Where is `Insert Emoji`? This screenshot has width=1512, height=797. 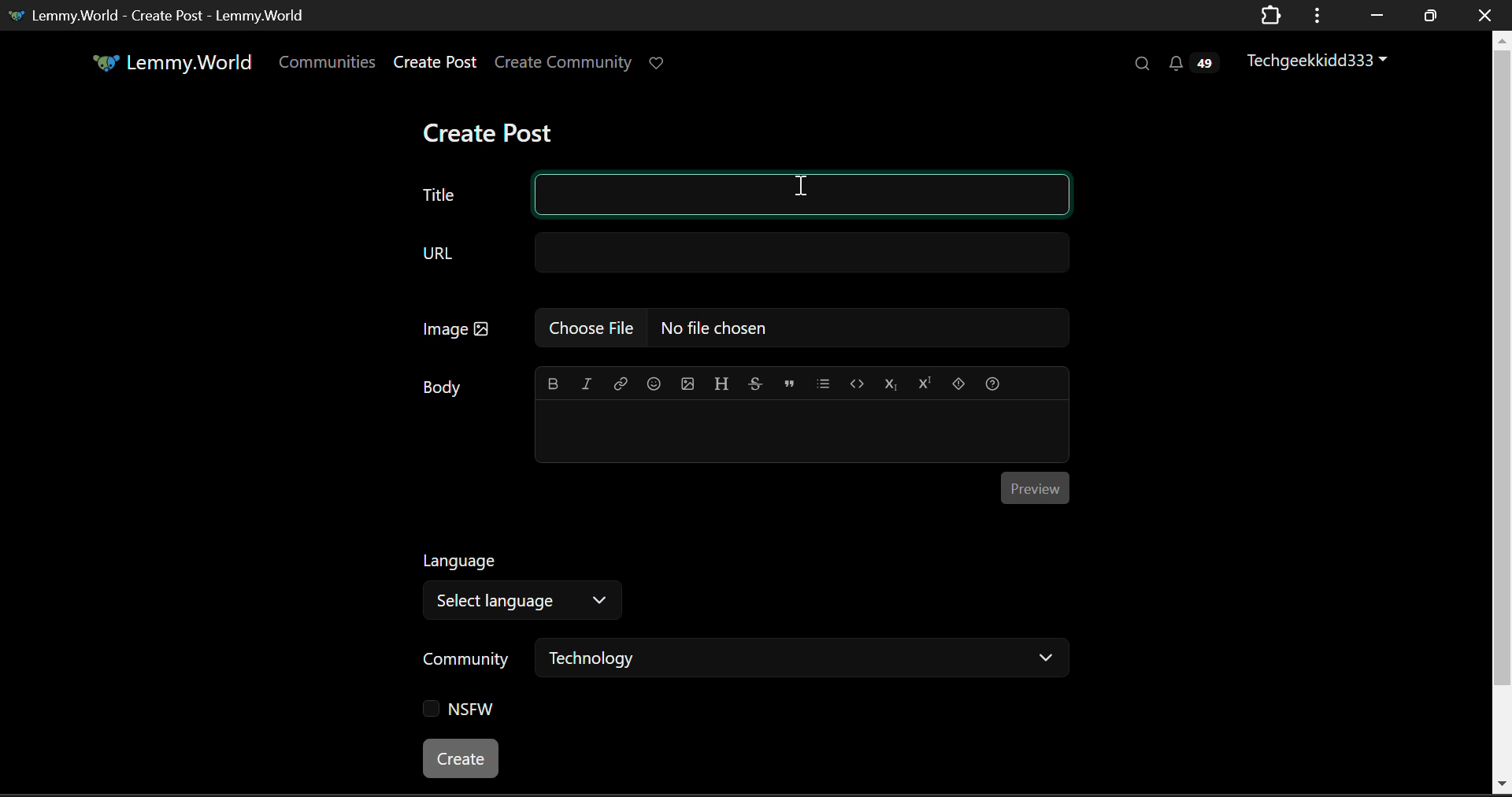
Insert Emoji is located at coordinates (654, 384).